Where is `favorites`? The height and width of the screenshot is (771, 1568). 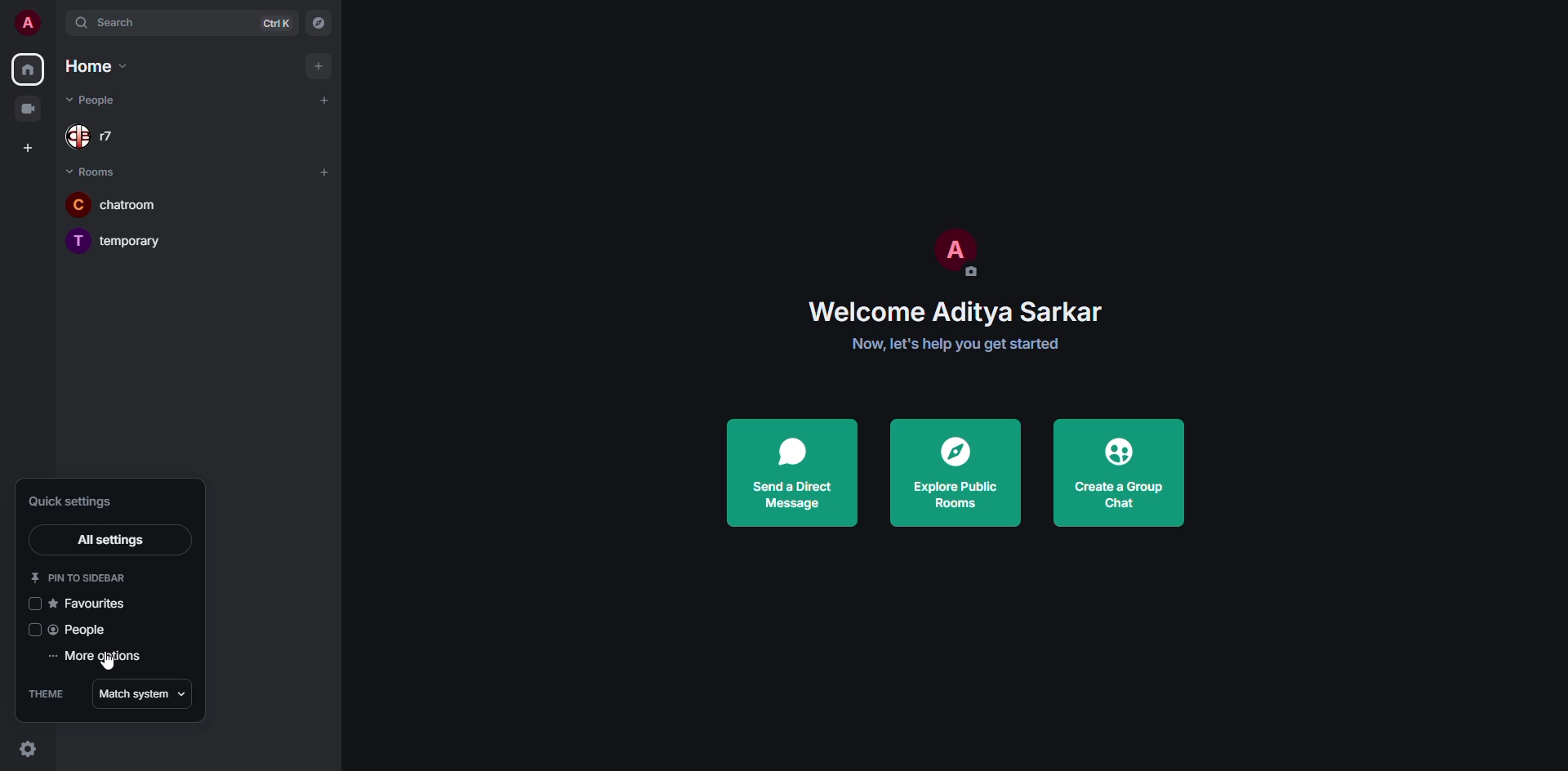 favorites is located at coordinates (90, 606).